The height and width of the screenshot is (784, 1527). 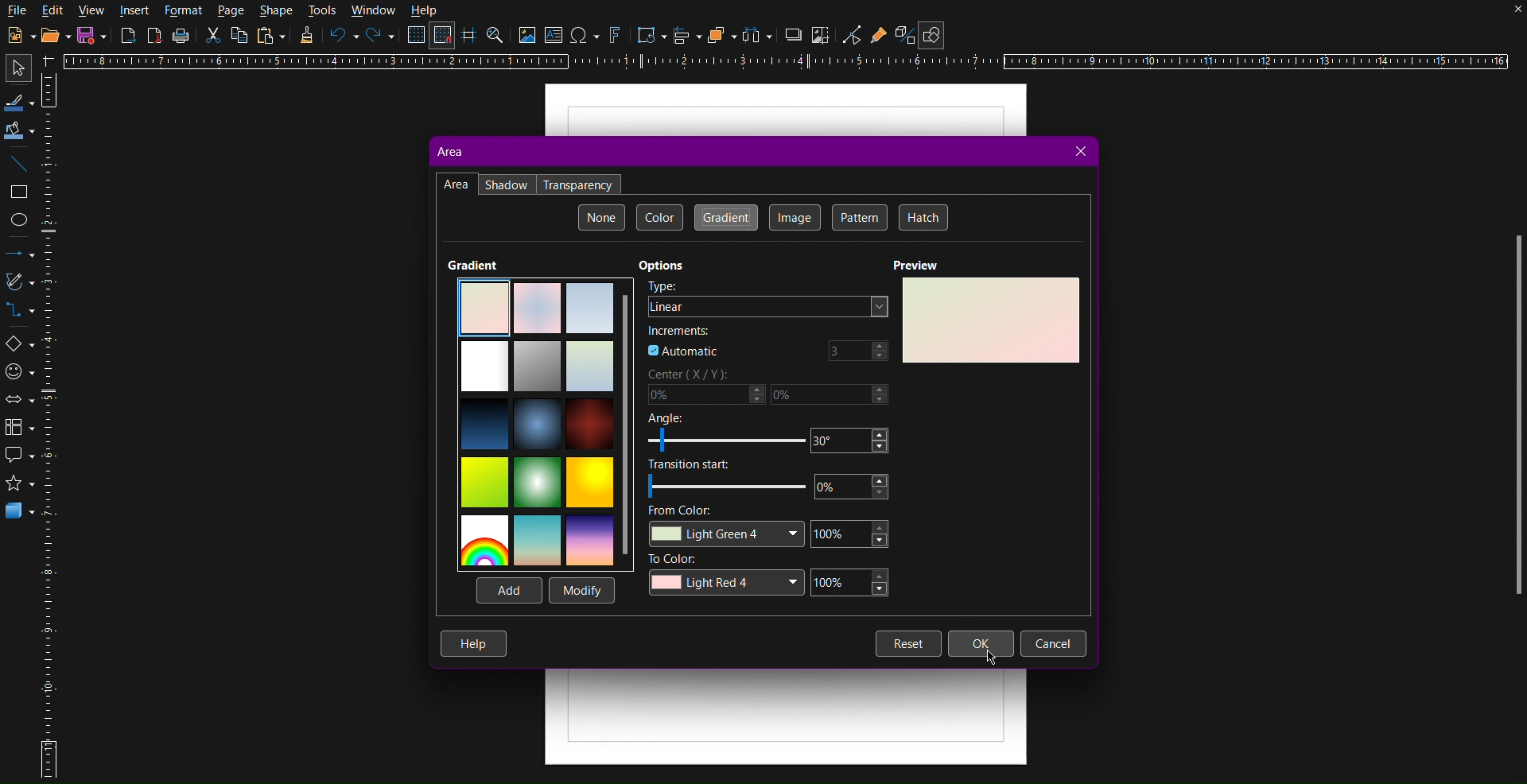 I want to click on scroll bar, so click(x=1510, y=421).